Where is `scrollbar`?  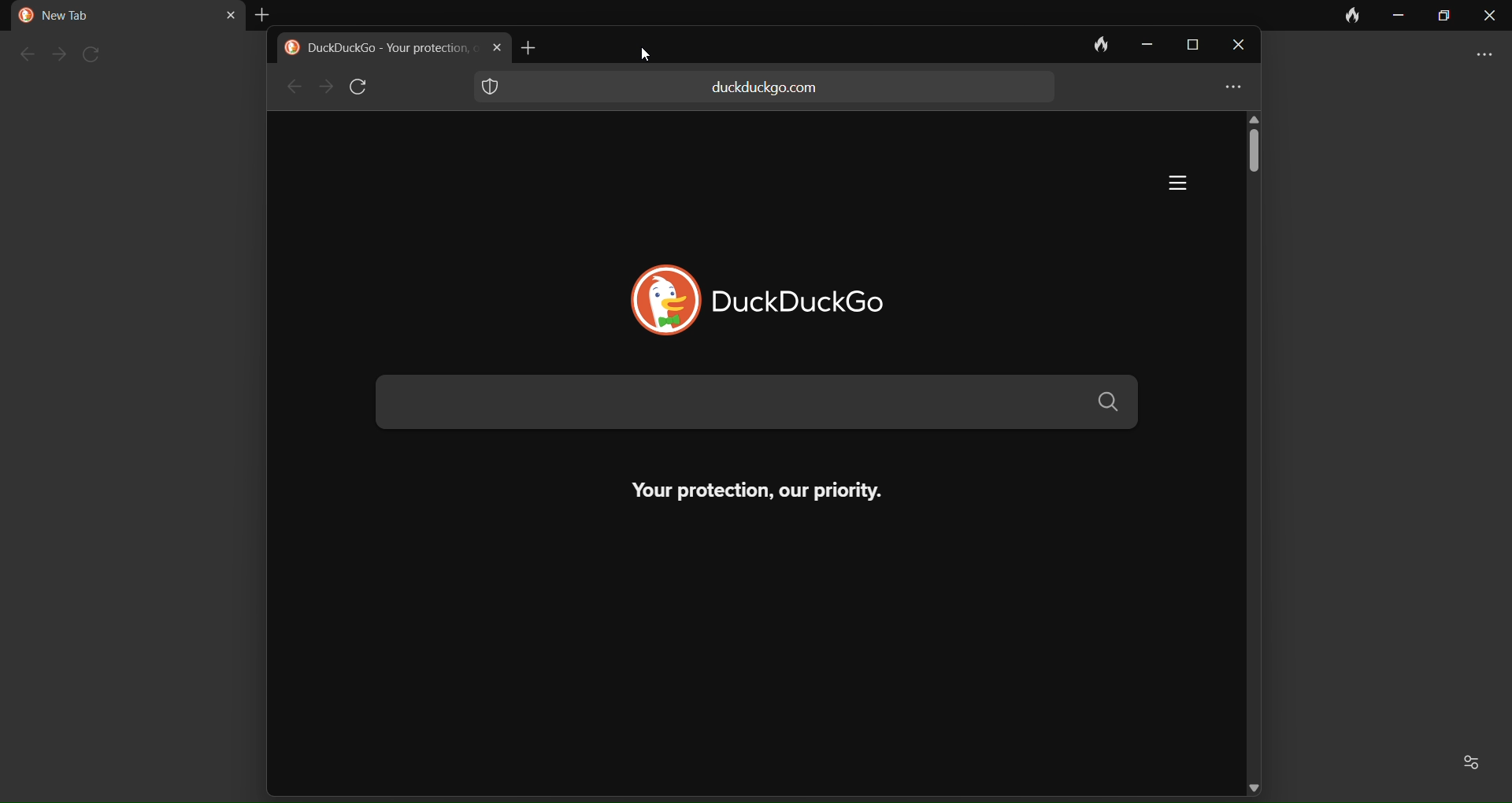 scrollbar is located at coordinates (1255, 165).